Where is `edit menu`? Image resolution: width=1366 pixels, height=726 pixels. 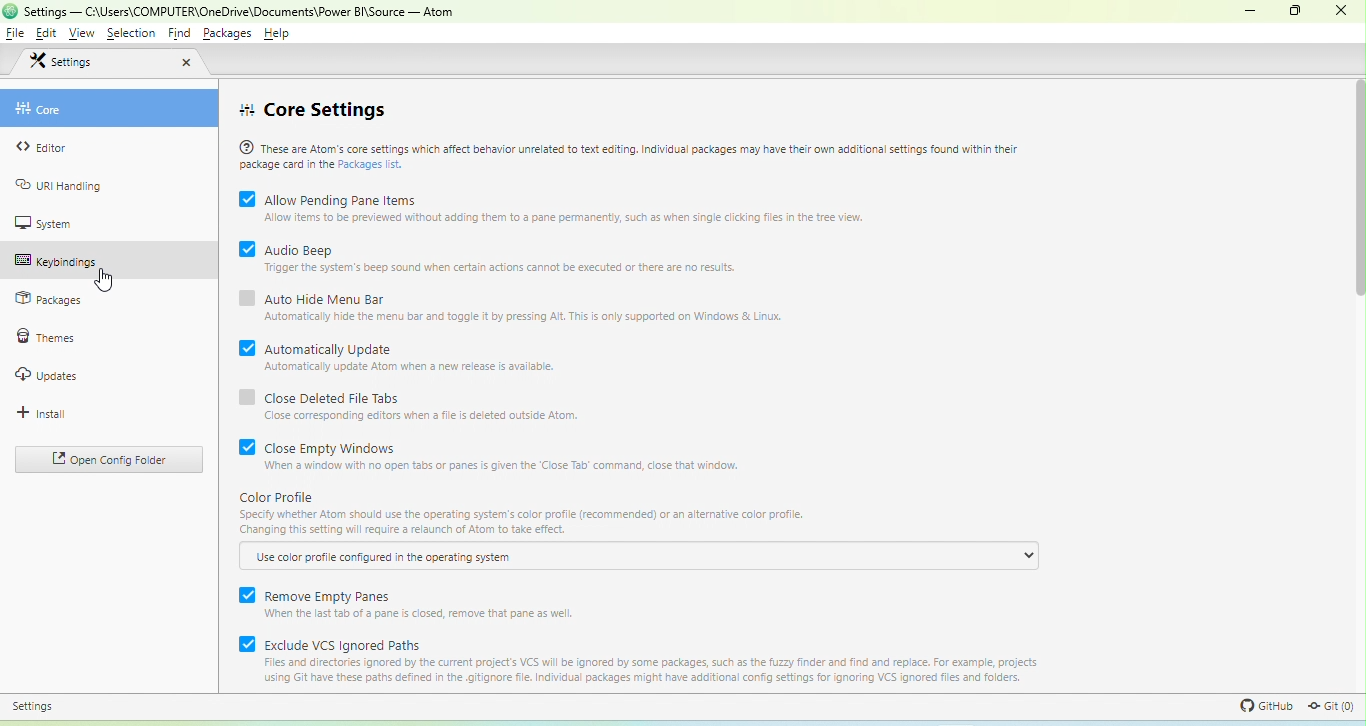
edit menu is located at coordinates (46, 33).